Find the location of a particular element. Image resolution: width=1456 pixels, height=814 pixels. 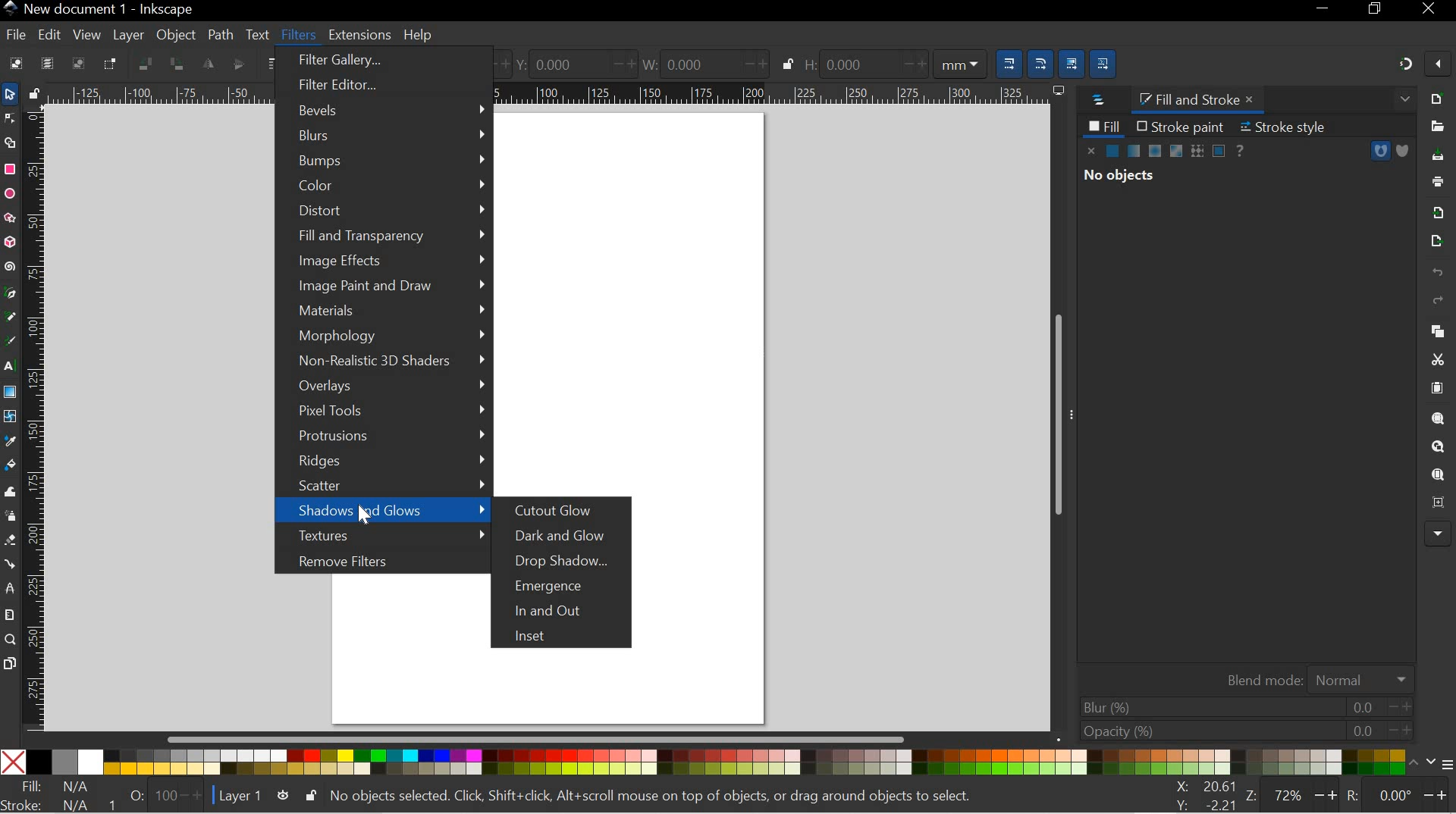

BEVELS is located at coordinates (384, 109).